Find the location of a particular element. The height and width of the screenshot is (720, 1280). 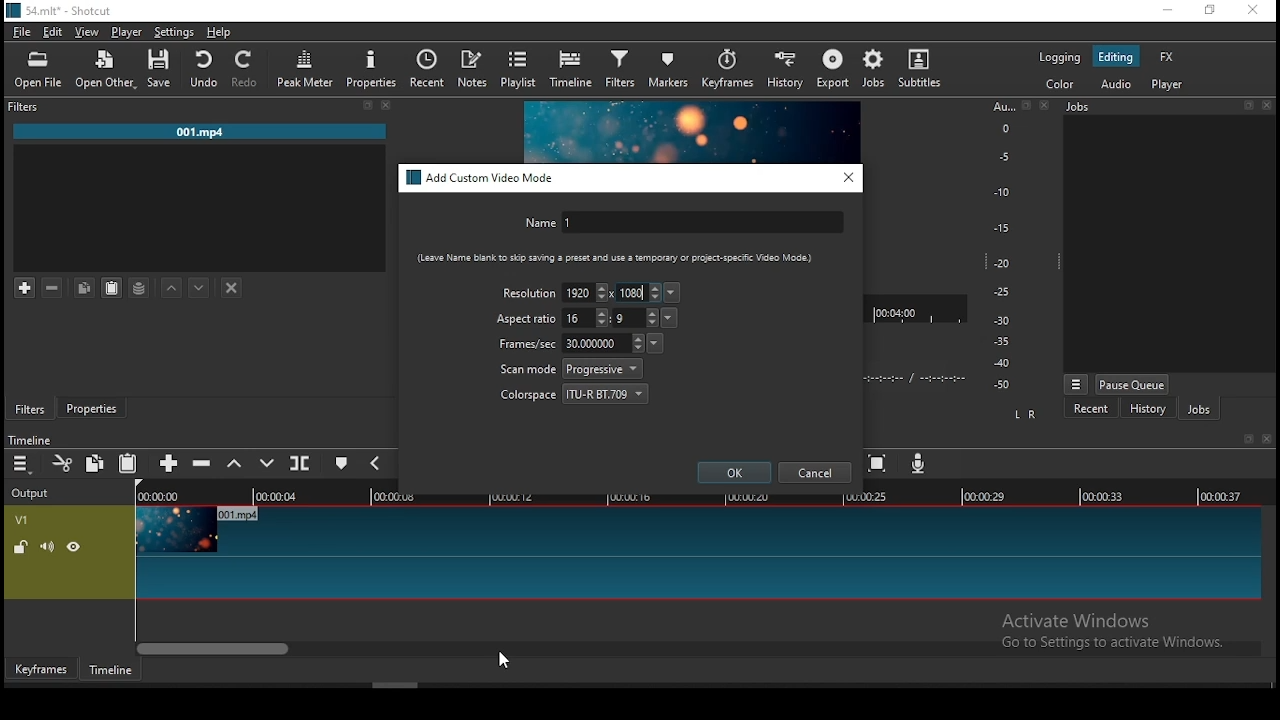

-35 is located at coordinates (998, 342).